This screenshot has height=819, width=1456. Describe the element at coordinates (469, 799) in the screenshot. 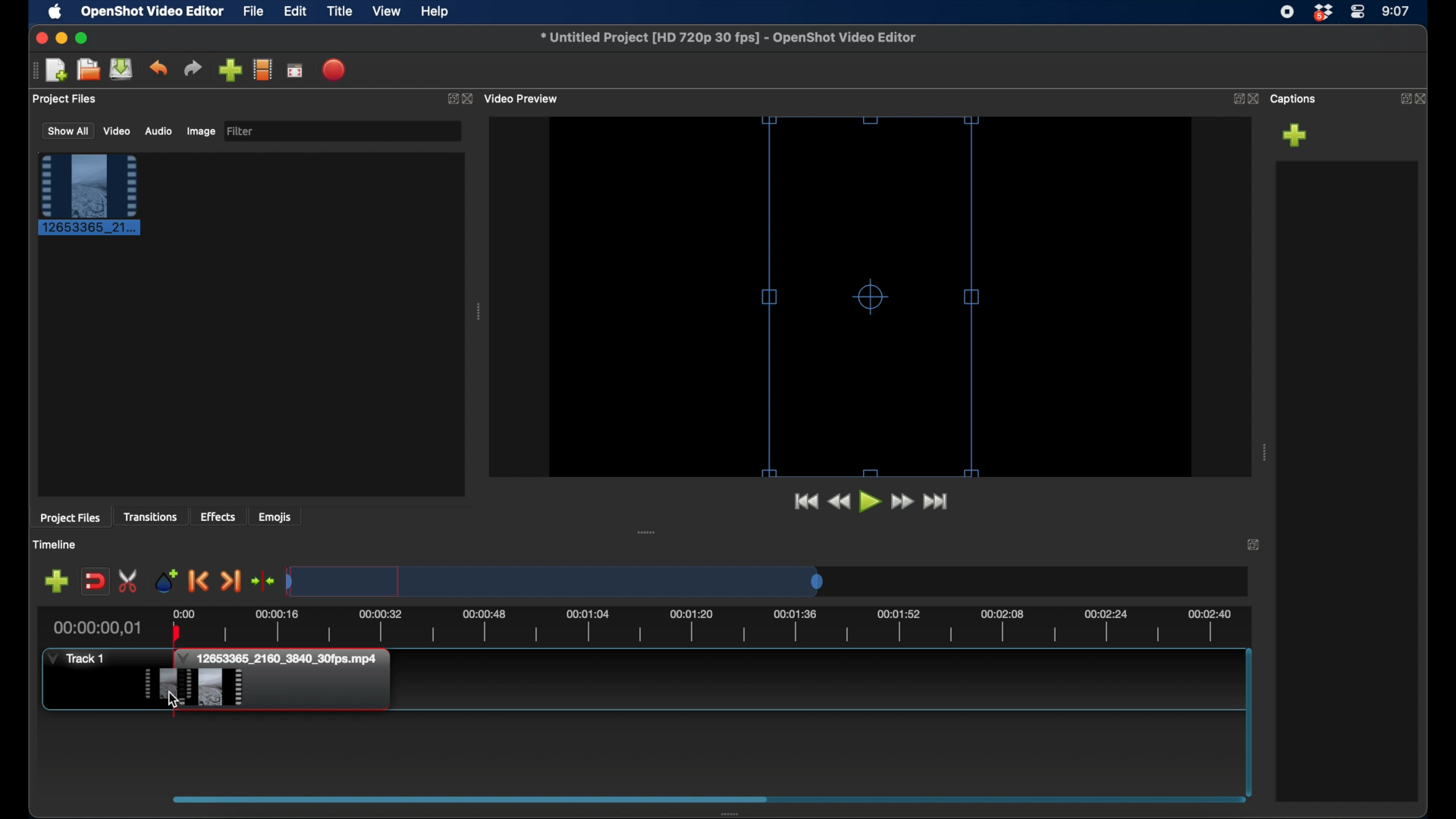

I see `scroll box` at that location.